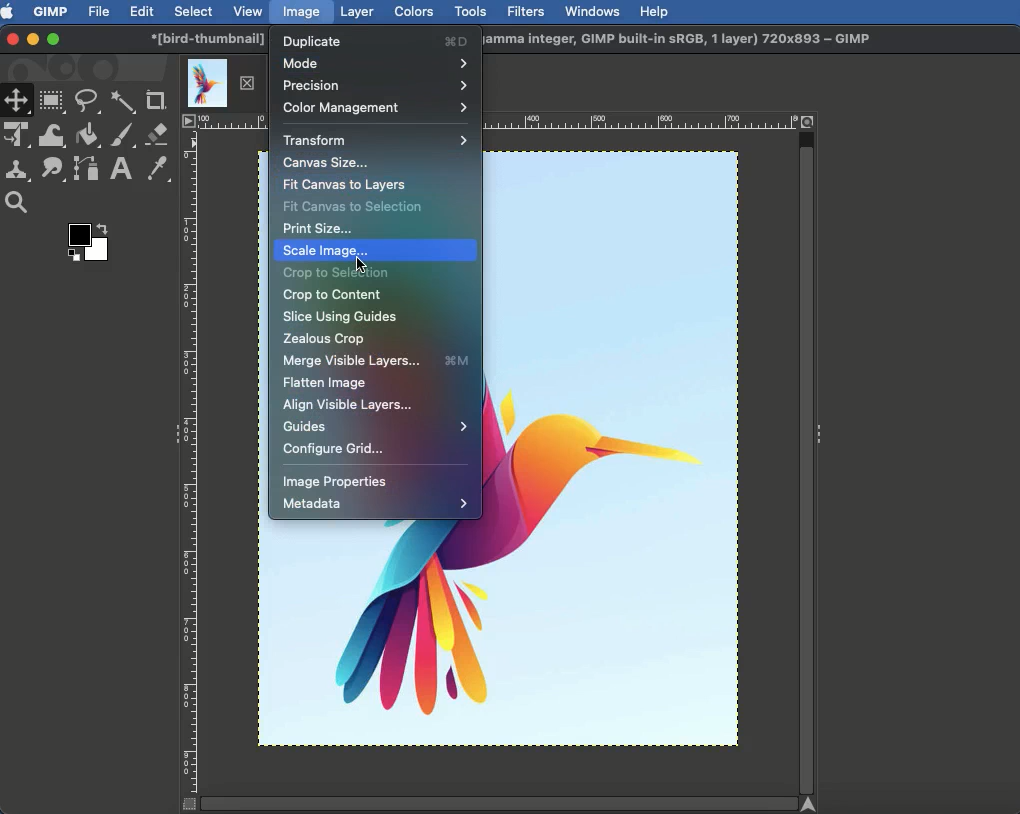 The height and width of the screenshot is (814, 1020). Describe the element at coordinates (335, 484) in the screenshot. I see `Image properties` at that location.